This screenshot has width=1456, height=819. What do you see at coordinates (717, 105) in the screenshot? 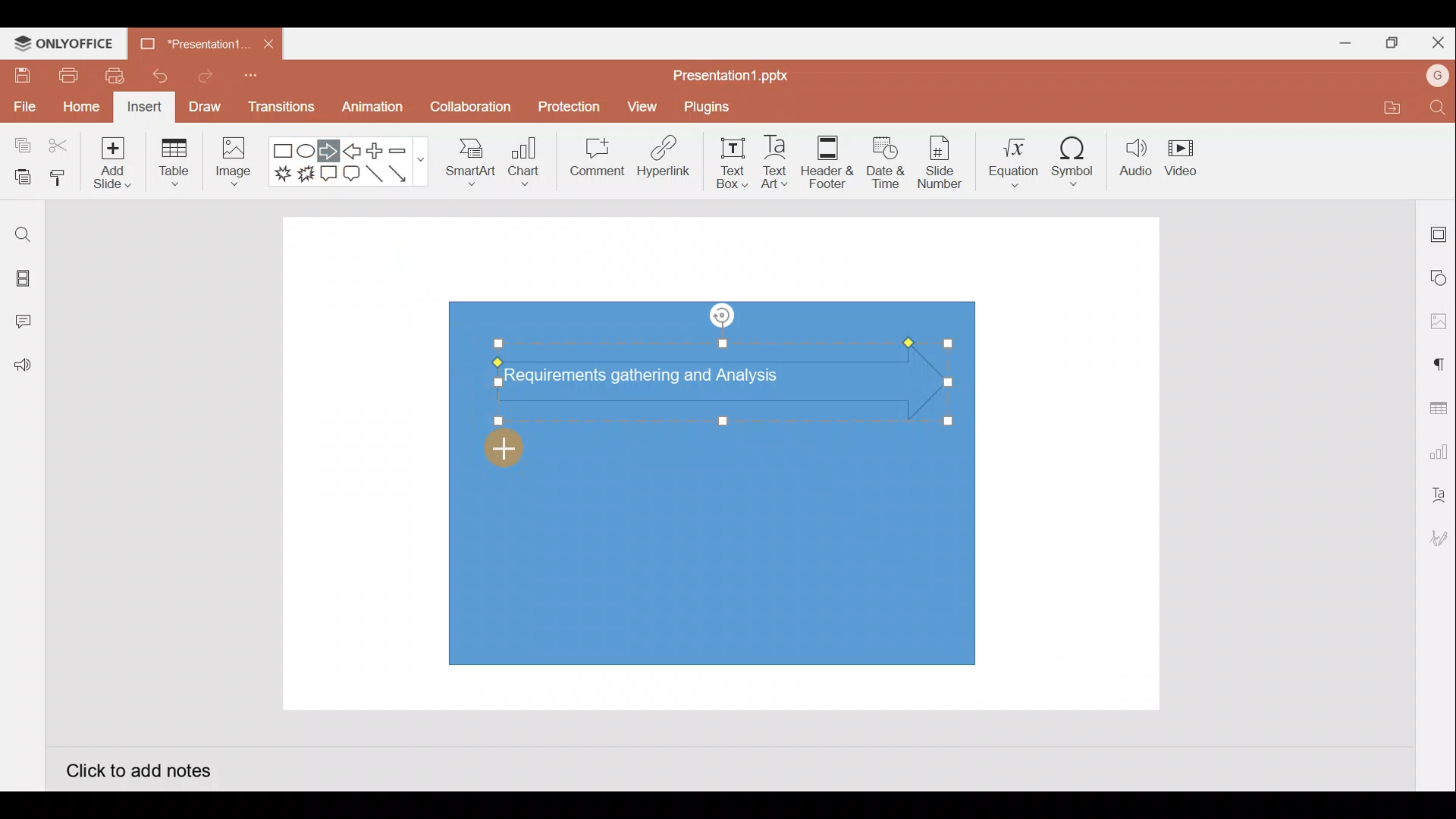
I see `Plugins` at bounding box center [717, 105].